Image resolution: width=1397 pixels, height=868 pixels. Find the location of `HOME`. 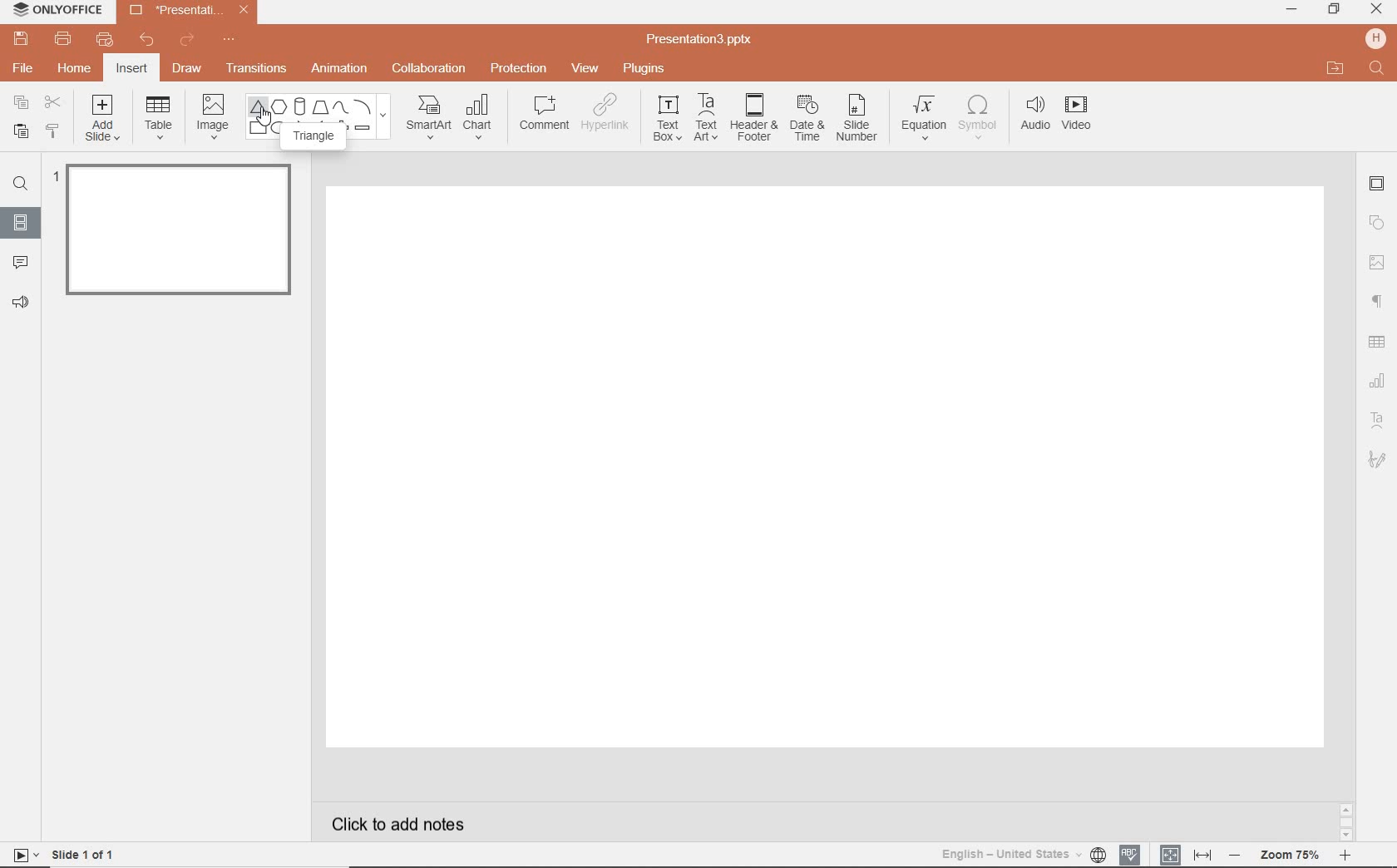

HOME is located at coordinates (76, 70).